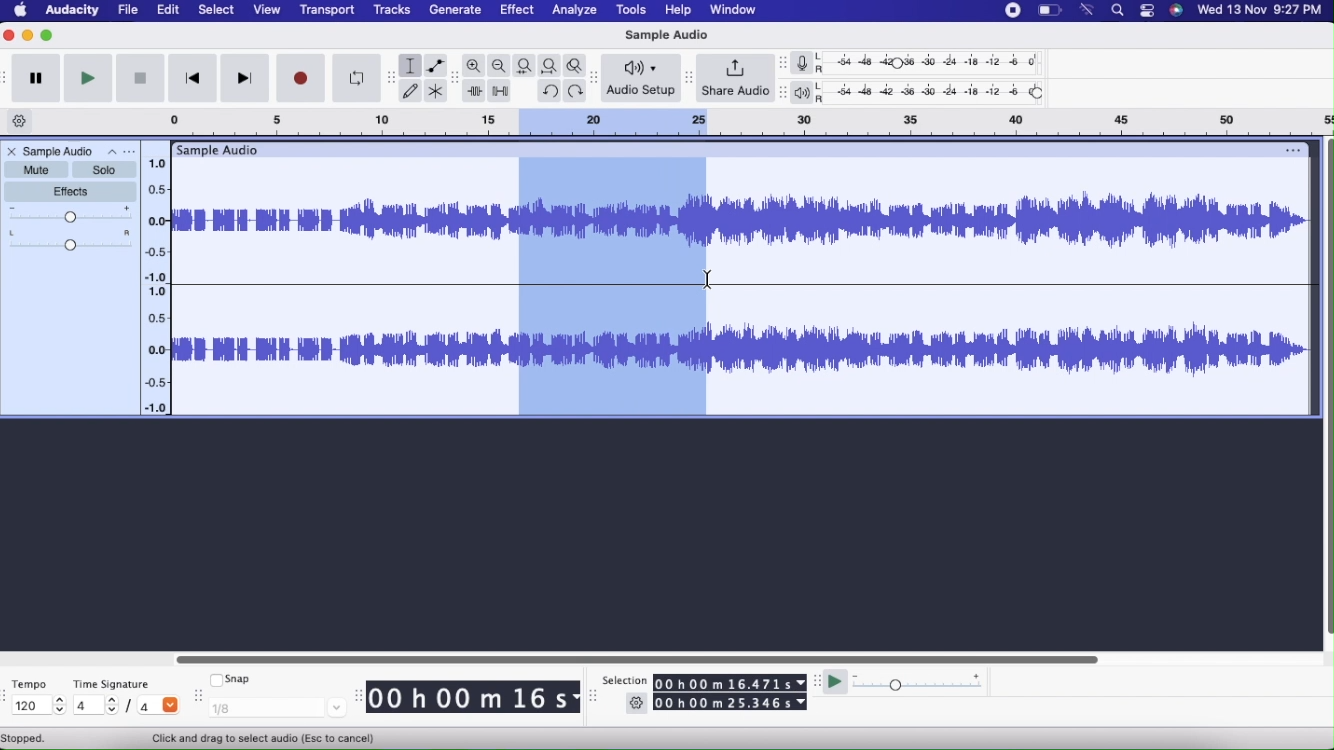 The image size is (1334, 750). Describe the element at coordinates (302, 78) in the screenshot. I see `Record` at that location.